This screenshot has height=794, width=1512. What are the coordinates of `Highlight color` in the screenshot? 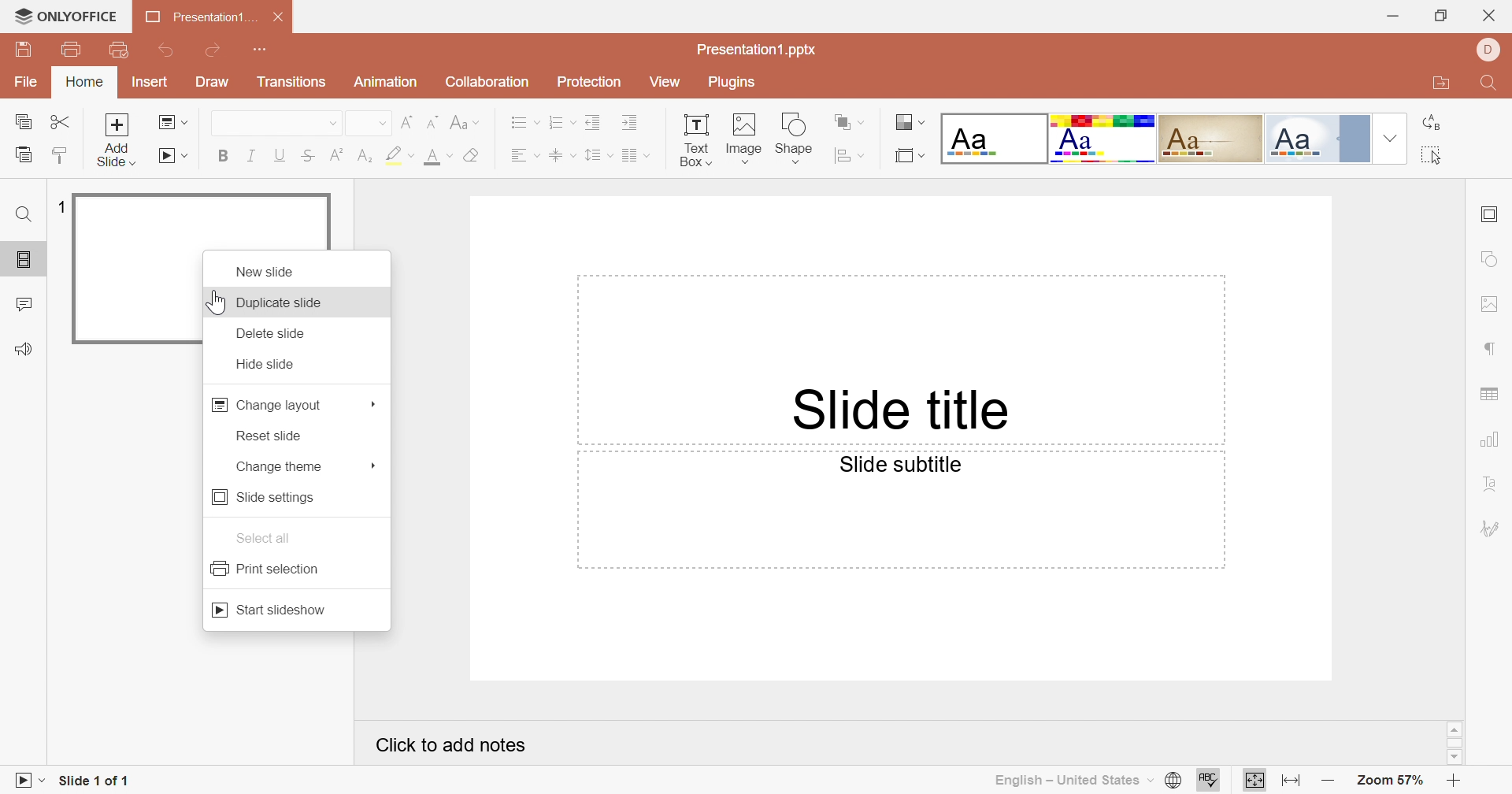 It's located at (398, 154).